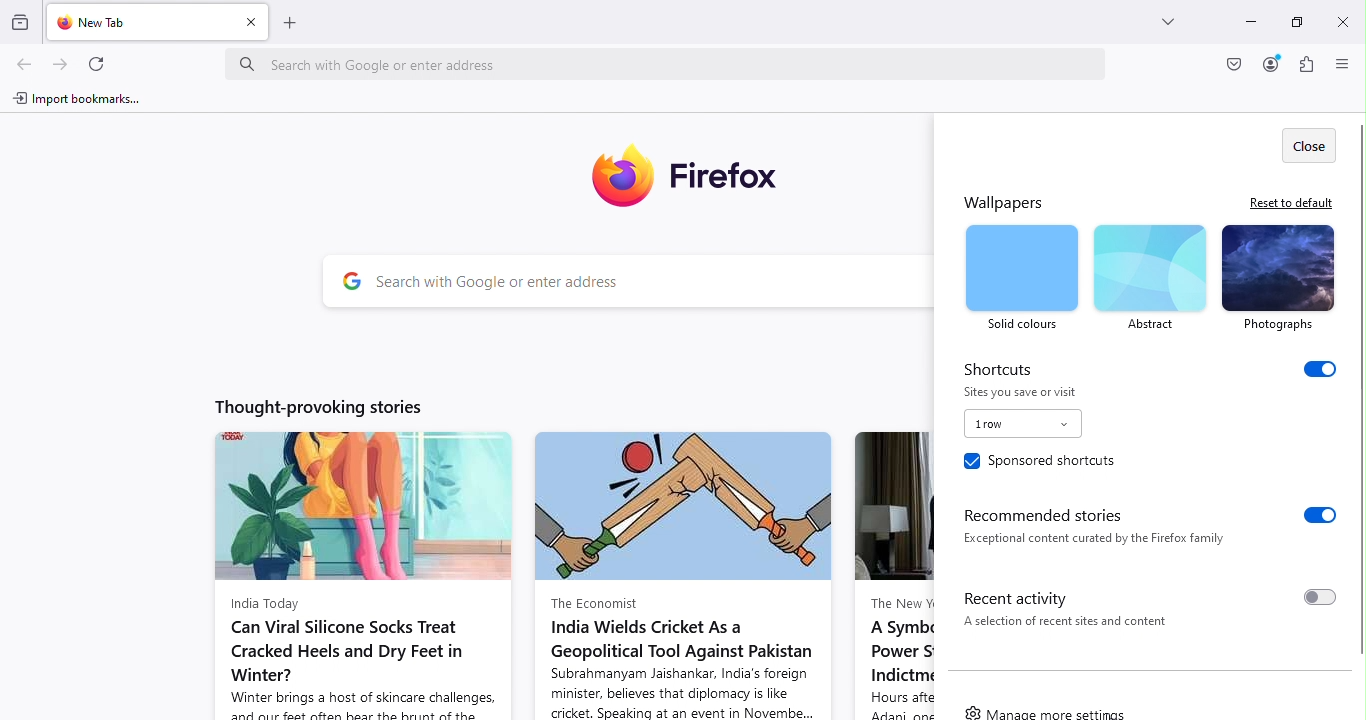 The height and width of the screenshot is (720, 1366). What do you see at coordinates (292, 21) in the screenshot?
I see `Open a new tab` at bounding box center [292, 21].